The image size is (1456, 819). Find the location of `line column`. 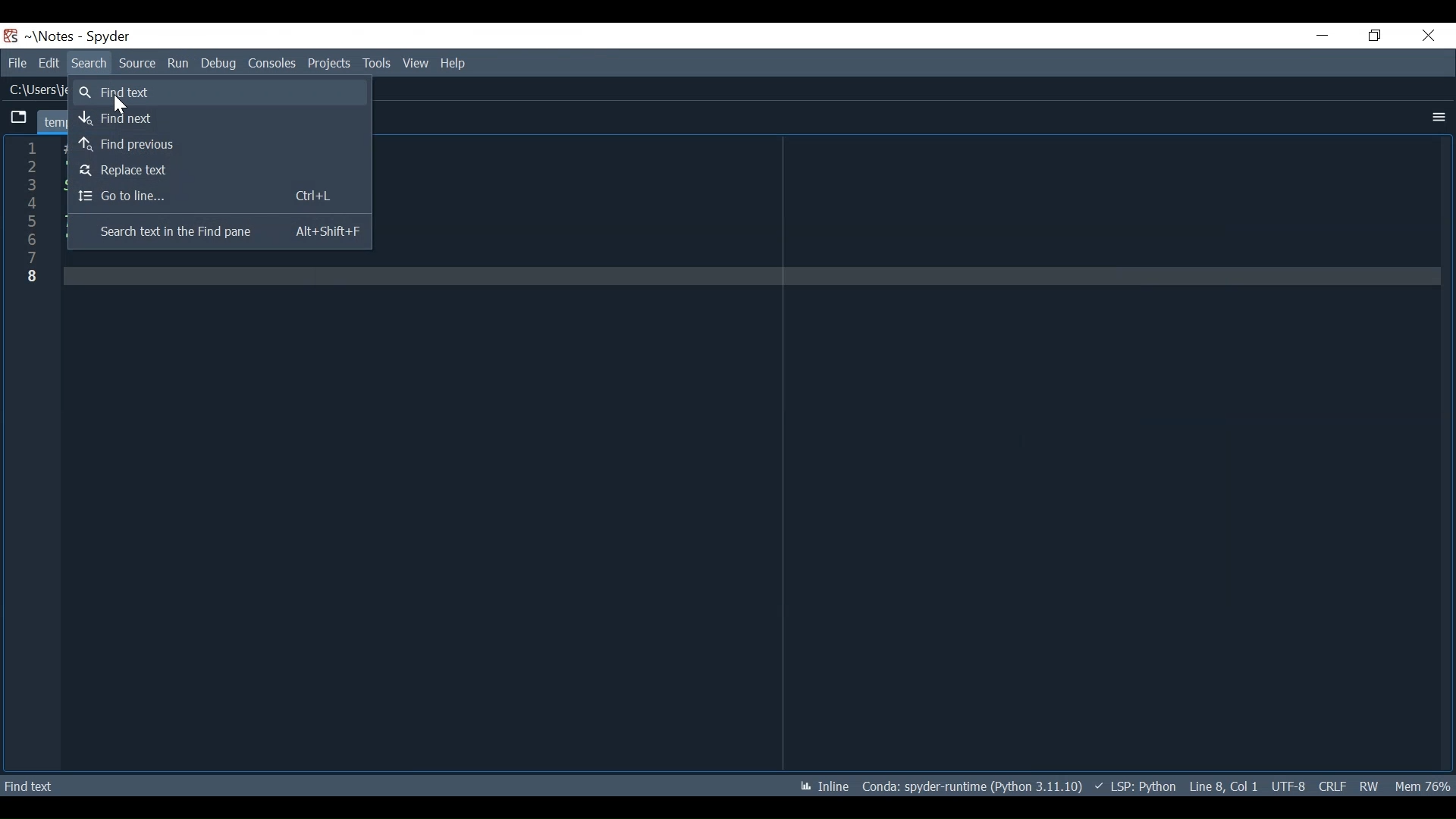

line column is located at coordinates (27, 450).